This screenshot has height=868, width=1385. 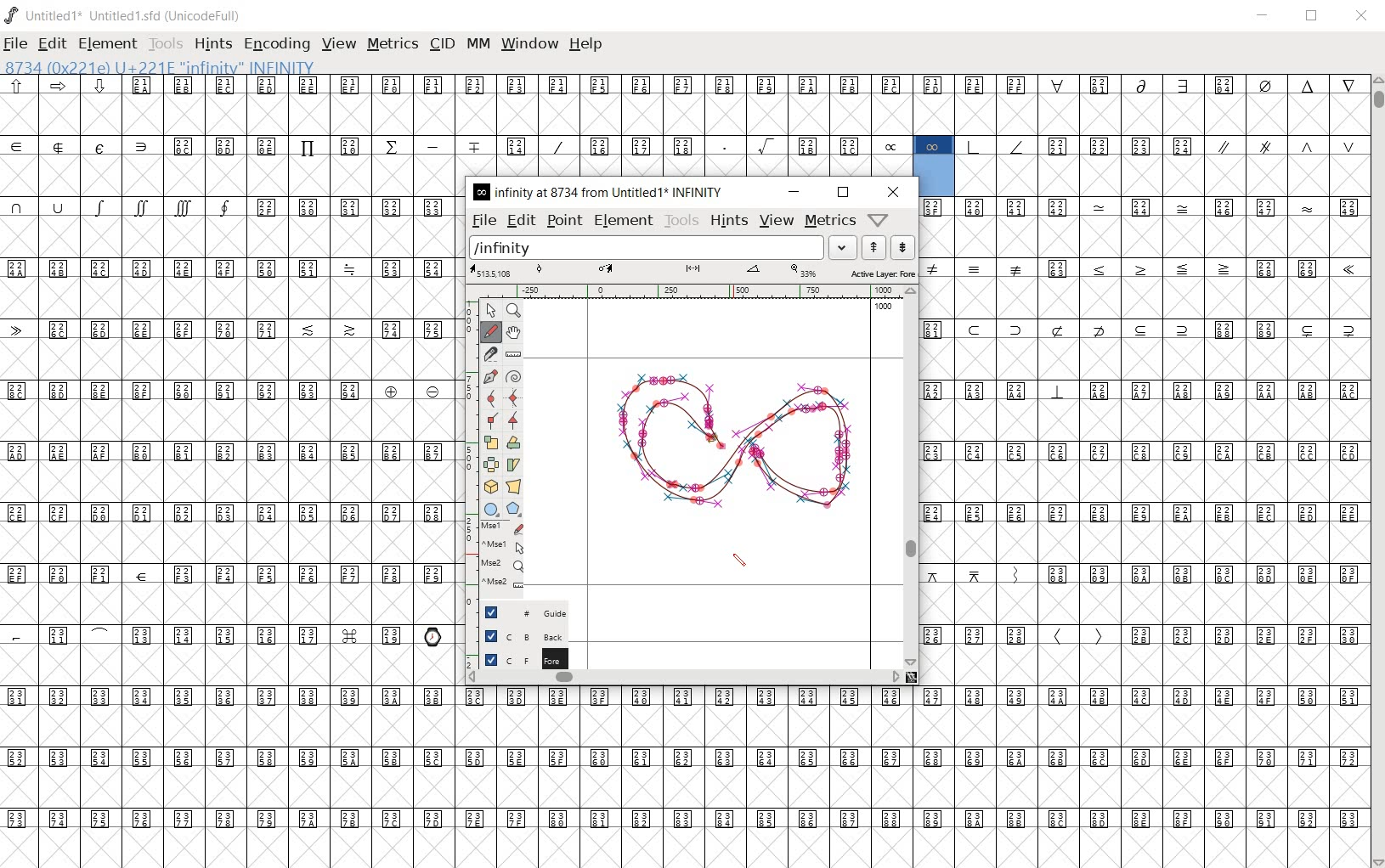 What do you see at coordinates (829, 221) in the screenshot?
I see `metrics` at bounding box center [829, 221].